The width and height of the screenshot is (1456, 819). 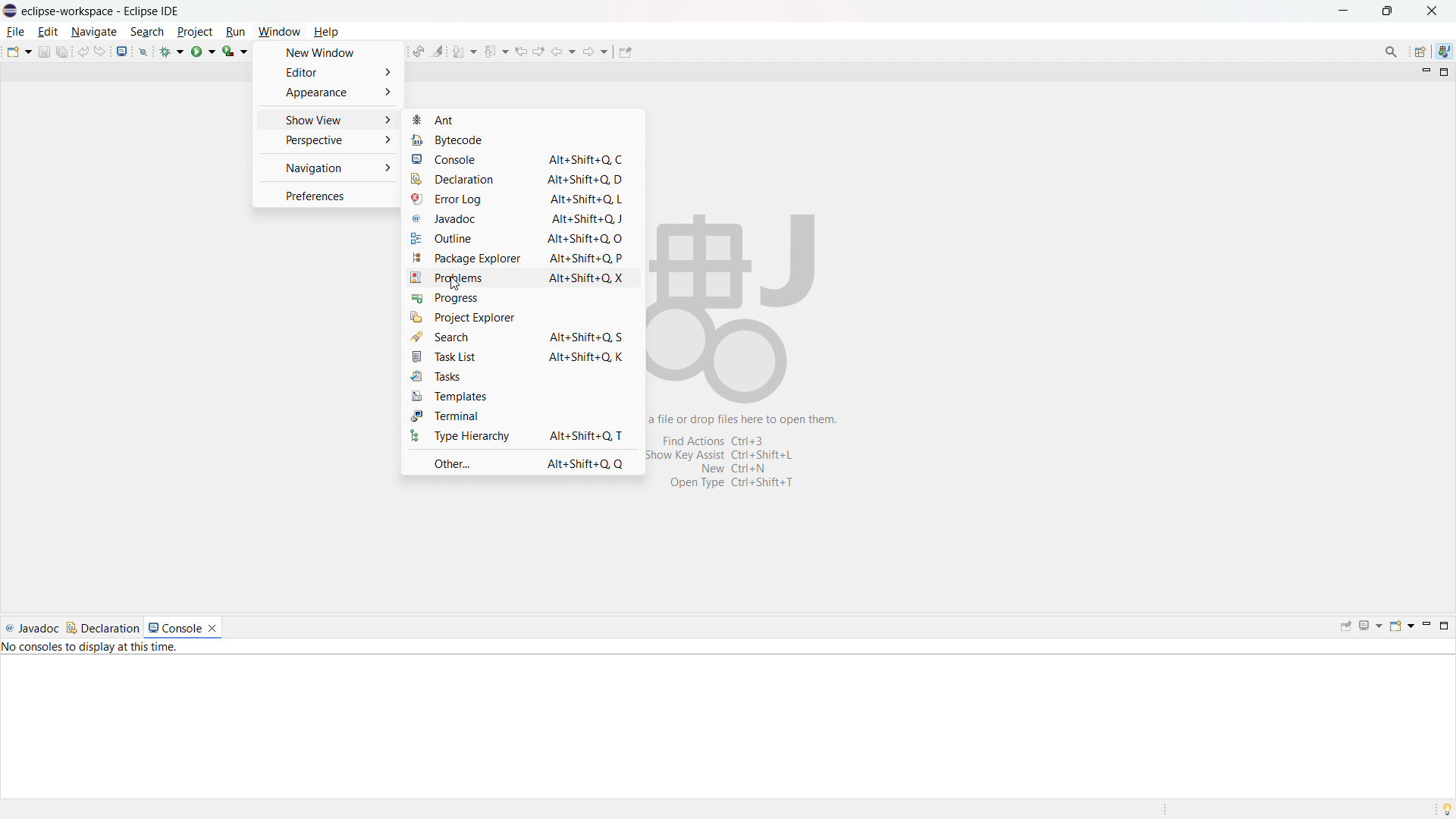 I want to click on open console, so click(x=123, y=51).